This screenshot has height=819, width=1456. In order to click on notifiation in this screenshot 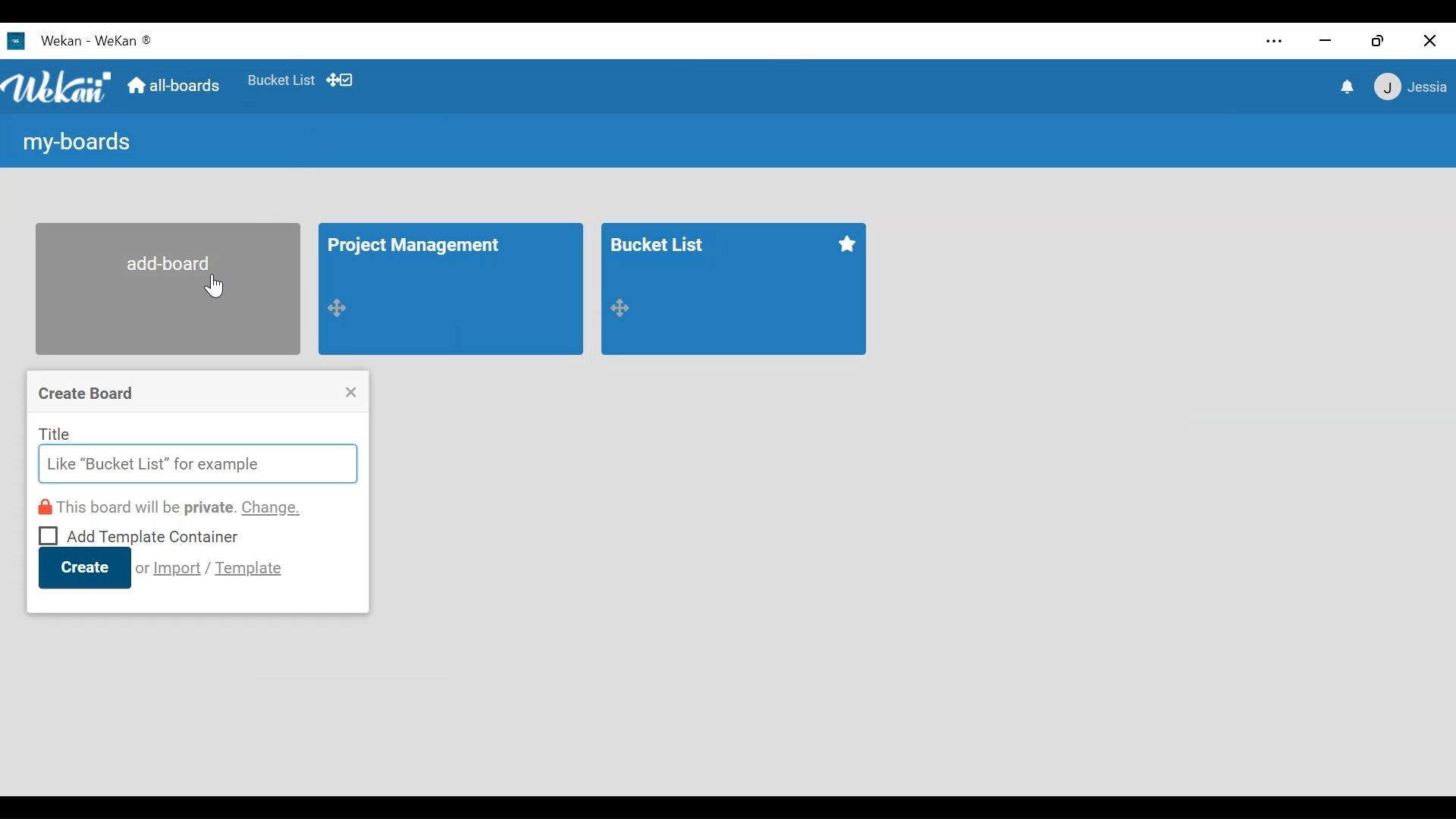, I will do `click(1345, 87)`.